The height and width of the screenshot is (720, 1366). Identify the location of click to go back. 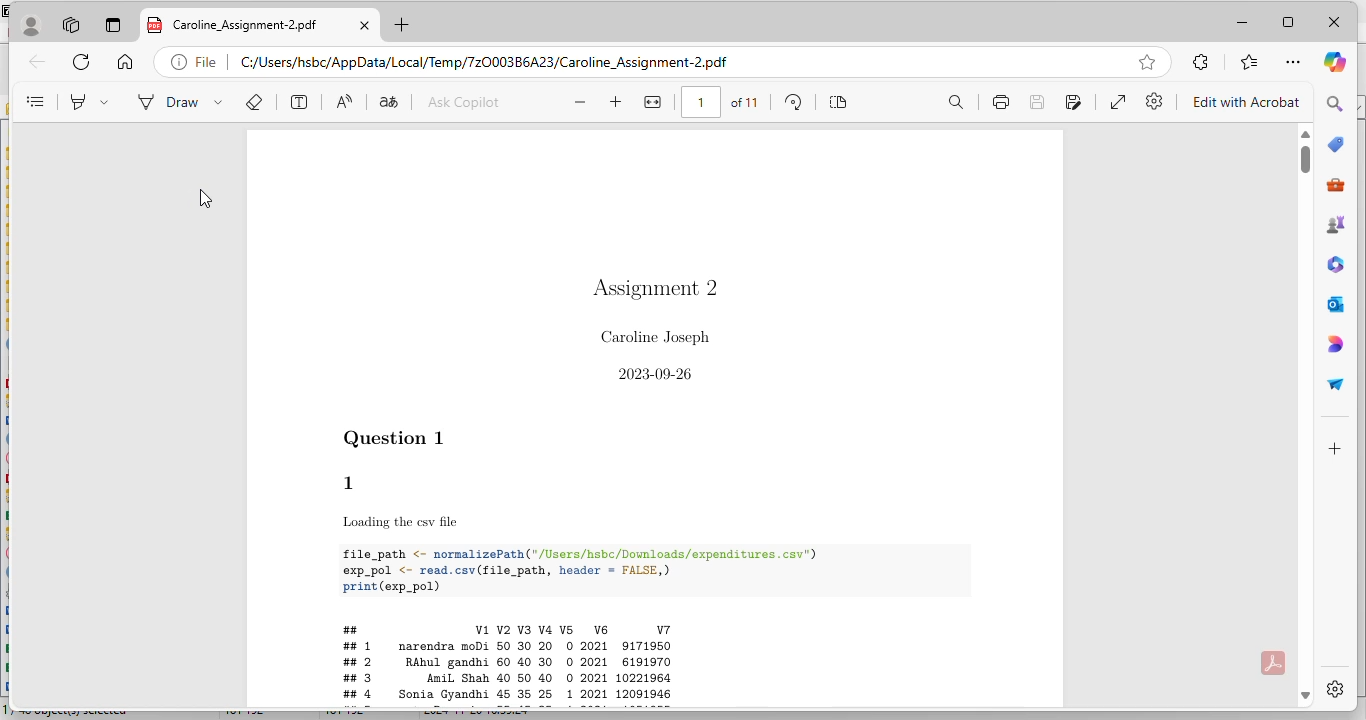
(38, 61).